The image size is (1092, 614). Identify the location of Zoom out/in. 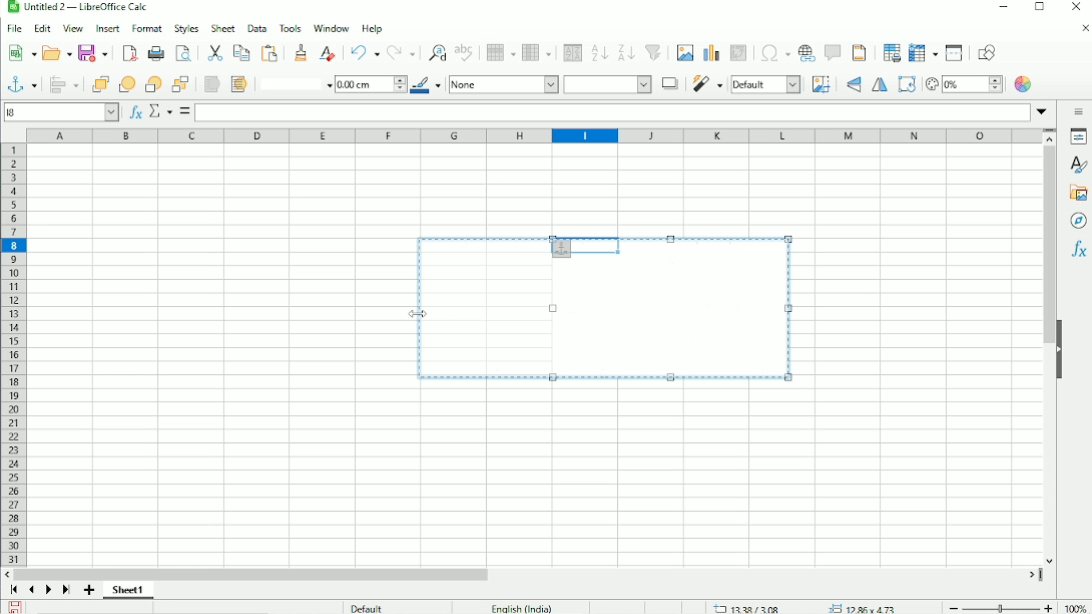
(997, 606).